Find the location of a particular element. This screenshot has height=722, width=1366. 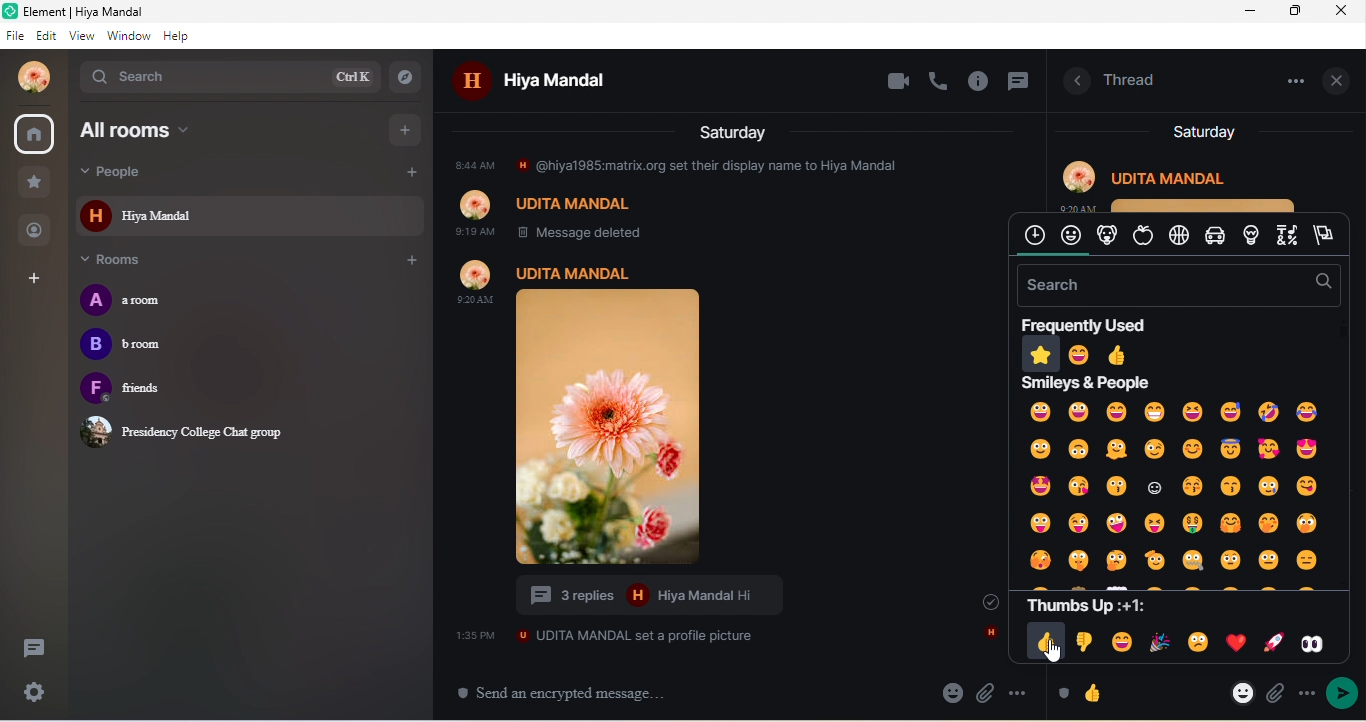

all rooms is located at coordinates (184, 130).